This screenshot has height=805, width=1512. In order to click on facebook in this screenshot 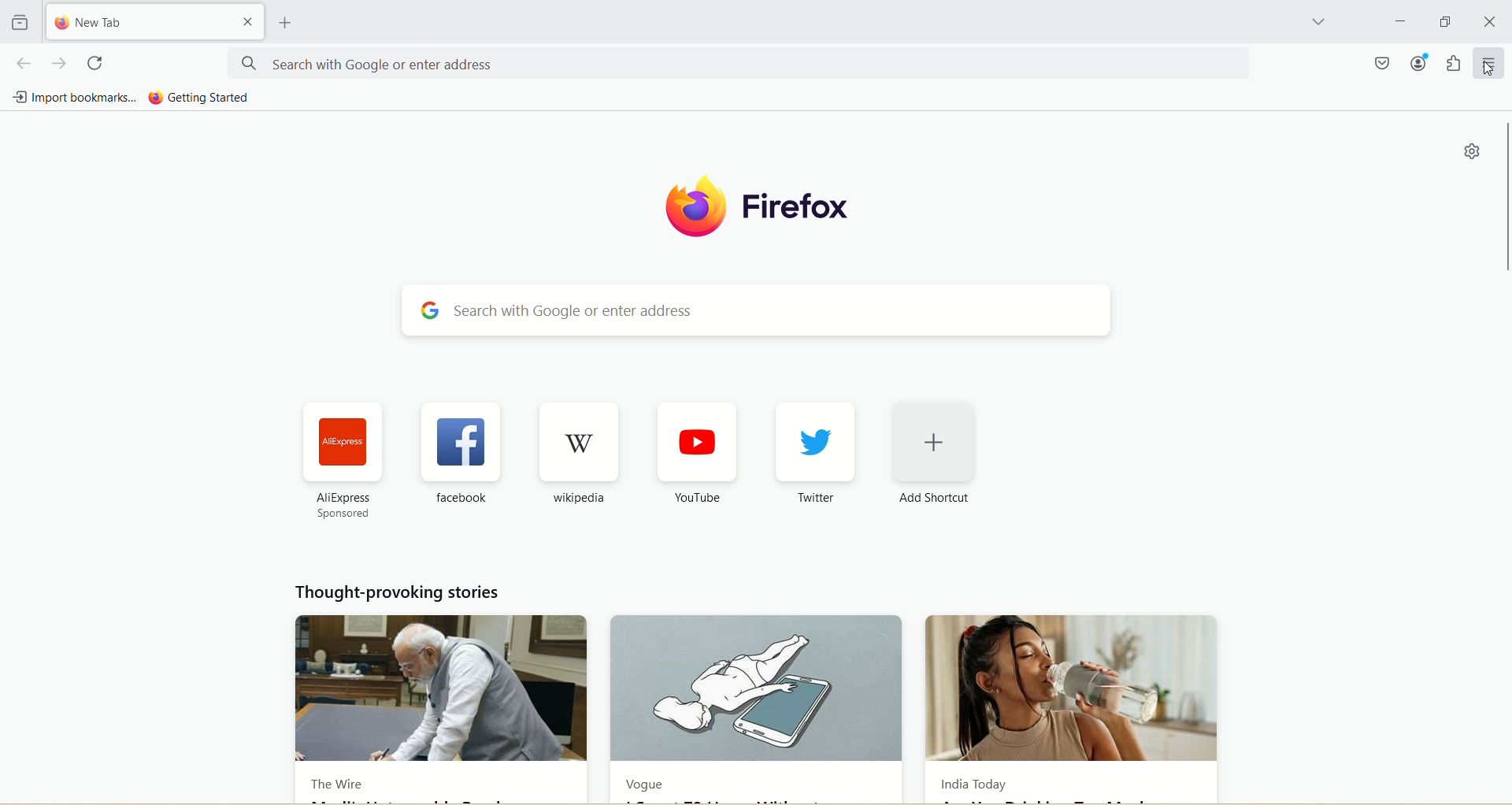, I will do `click(460, 443)`.